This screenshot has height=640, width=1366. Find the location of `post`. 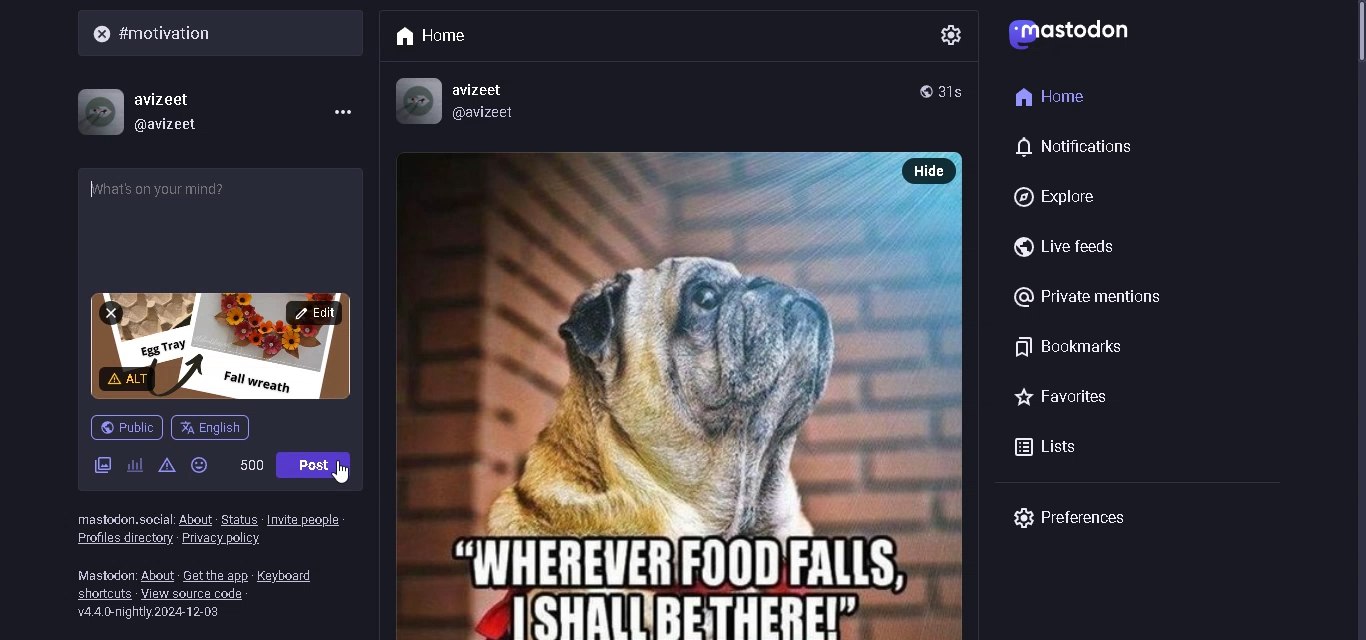

post is located at coordinates (316, 464).